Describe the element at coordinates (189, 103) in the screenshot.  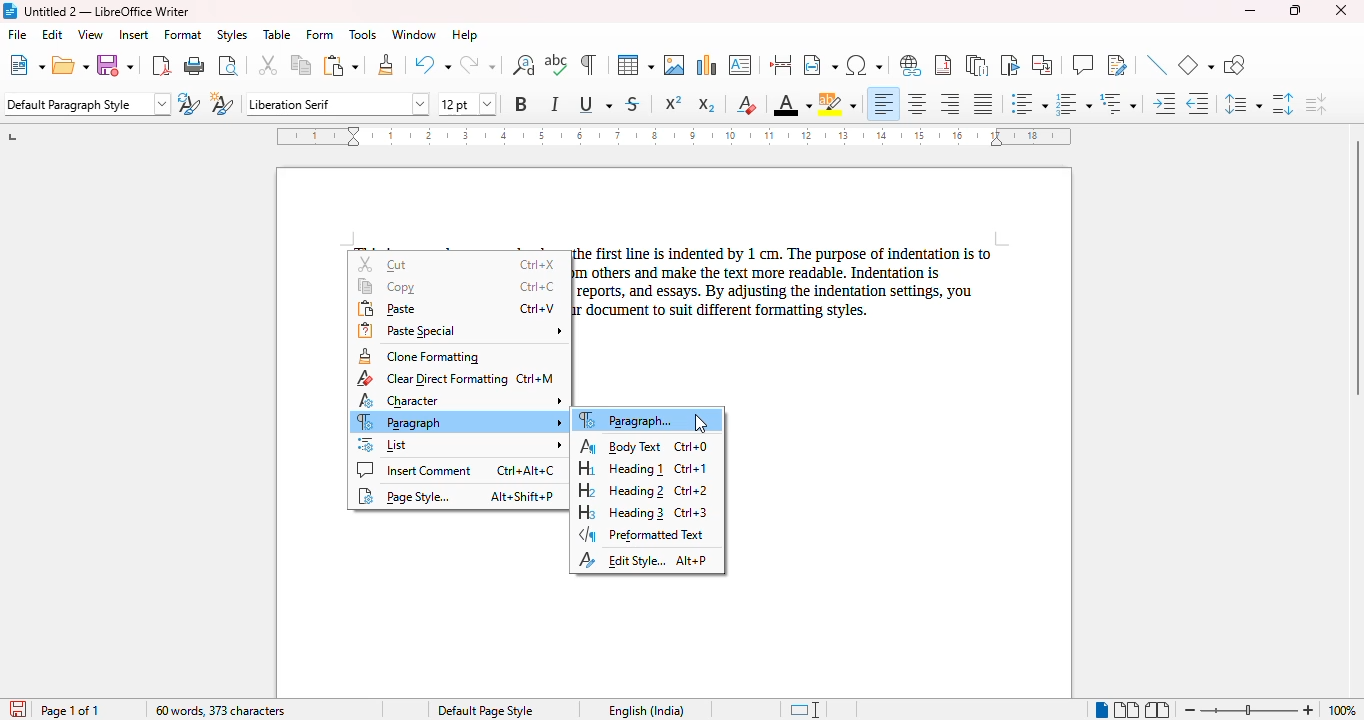
I see `update selected style` at that location.